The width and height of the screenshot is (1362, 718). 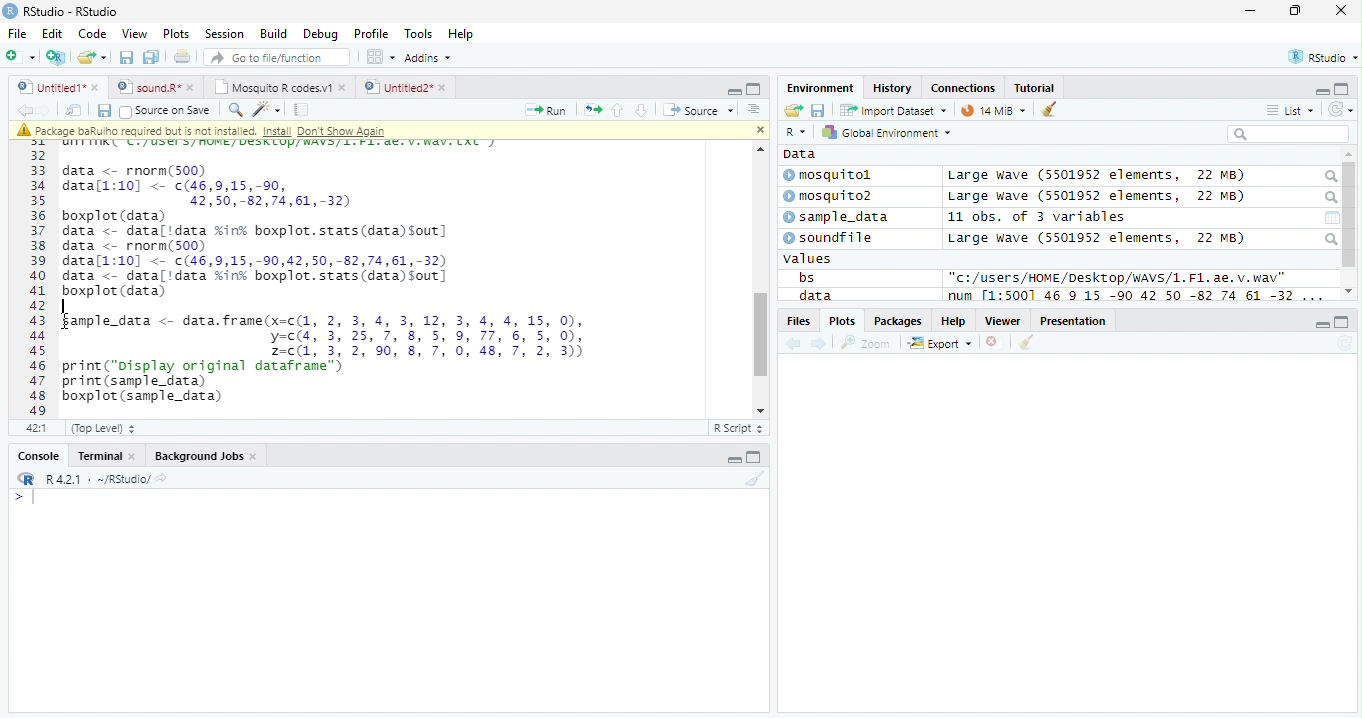 I want to click on Create a project, so click(x=58, y=57).